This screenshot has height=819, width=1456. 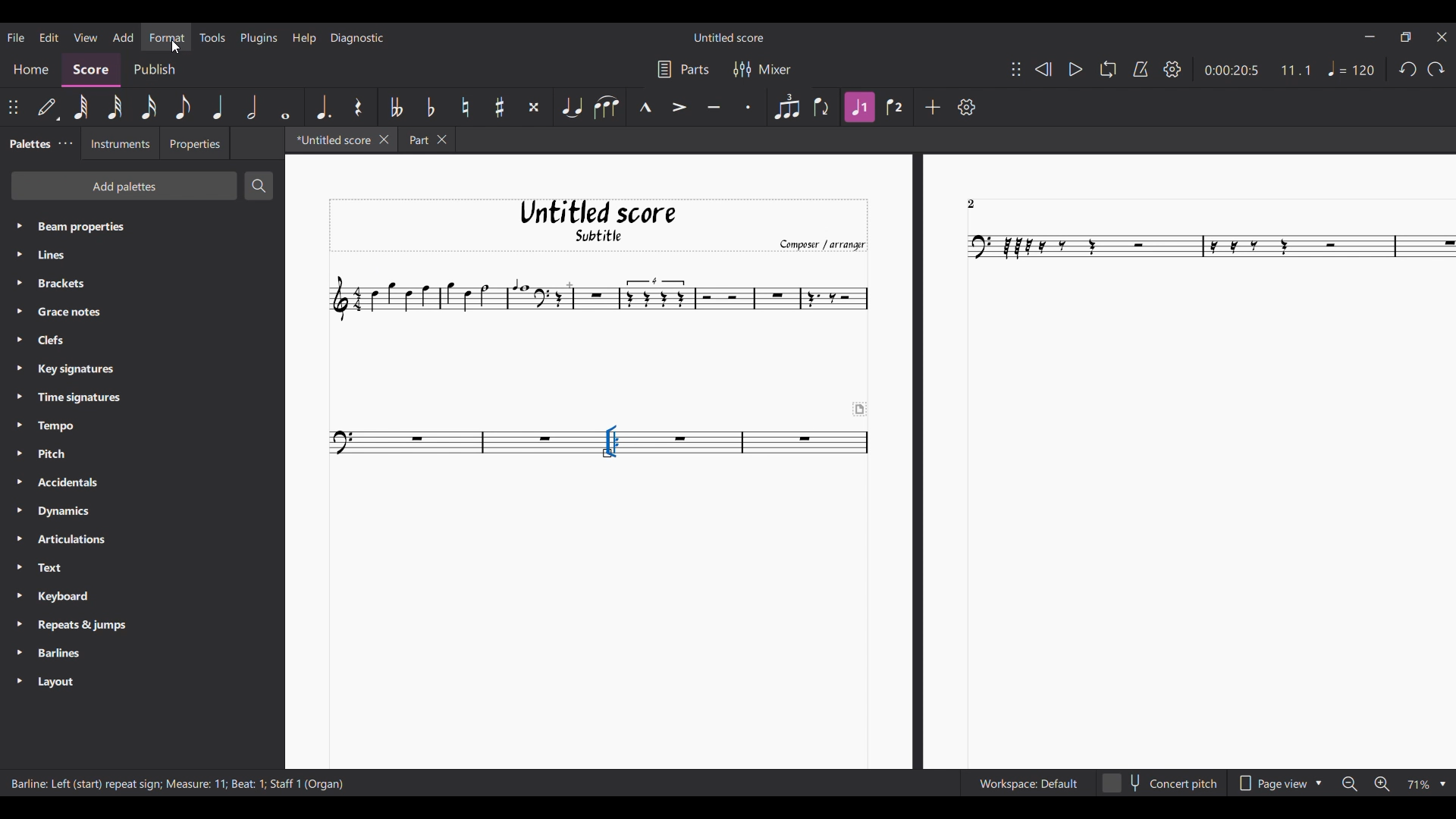 What do you see at coordinates (394, 107) in the screenshot?
I see `Toggle double flat` at bounding box center [394, 107].